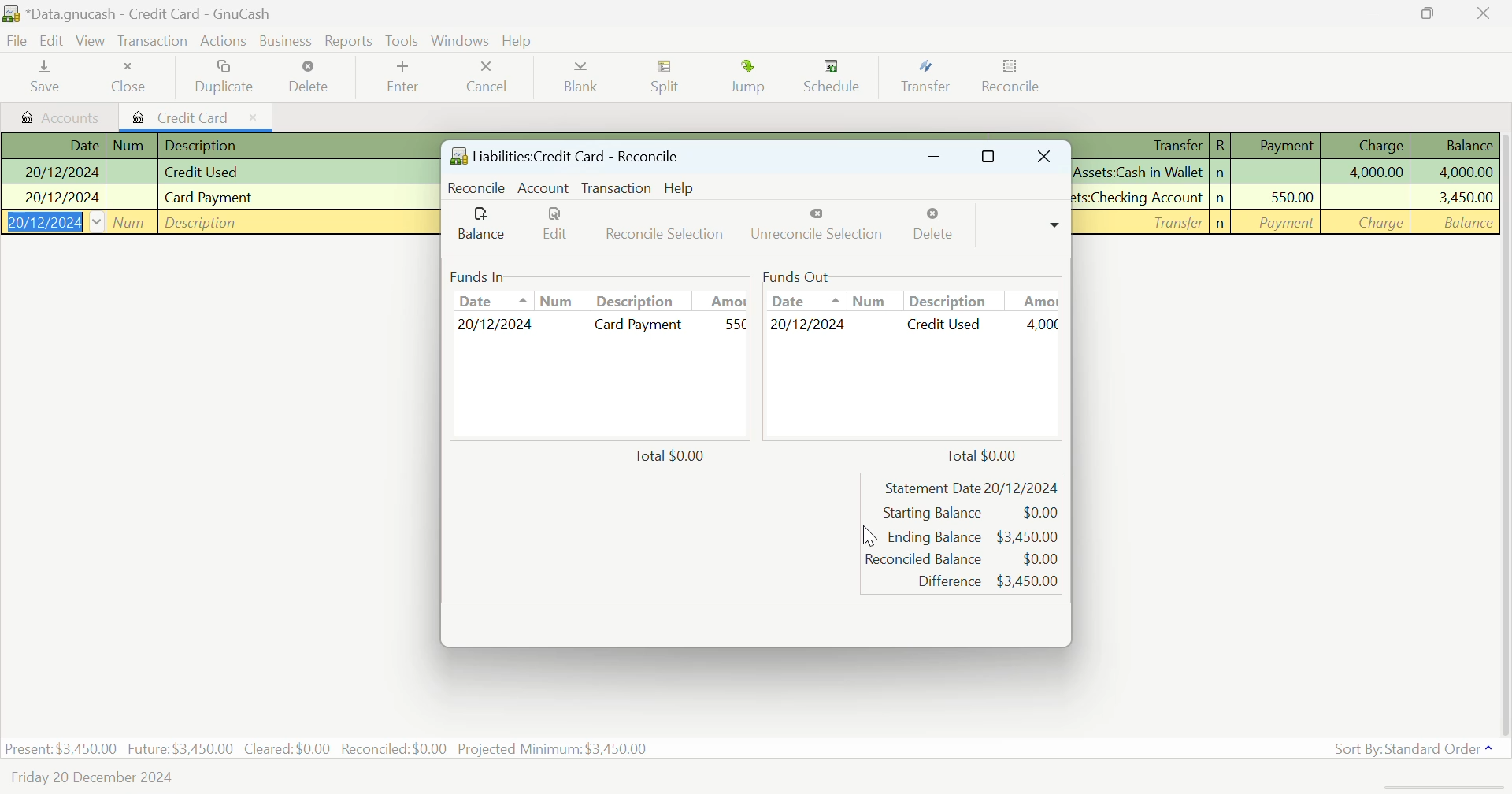 Image resolution: width=1512 pixels, height=794 pixels. Describe the element at coordinates (615, 187) in the screenshot. I see `Transaction` at that location.